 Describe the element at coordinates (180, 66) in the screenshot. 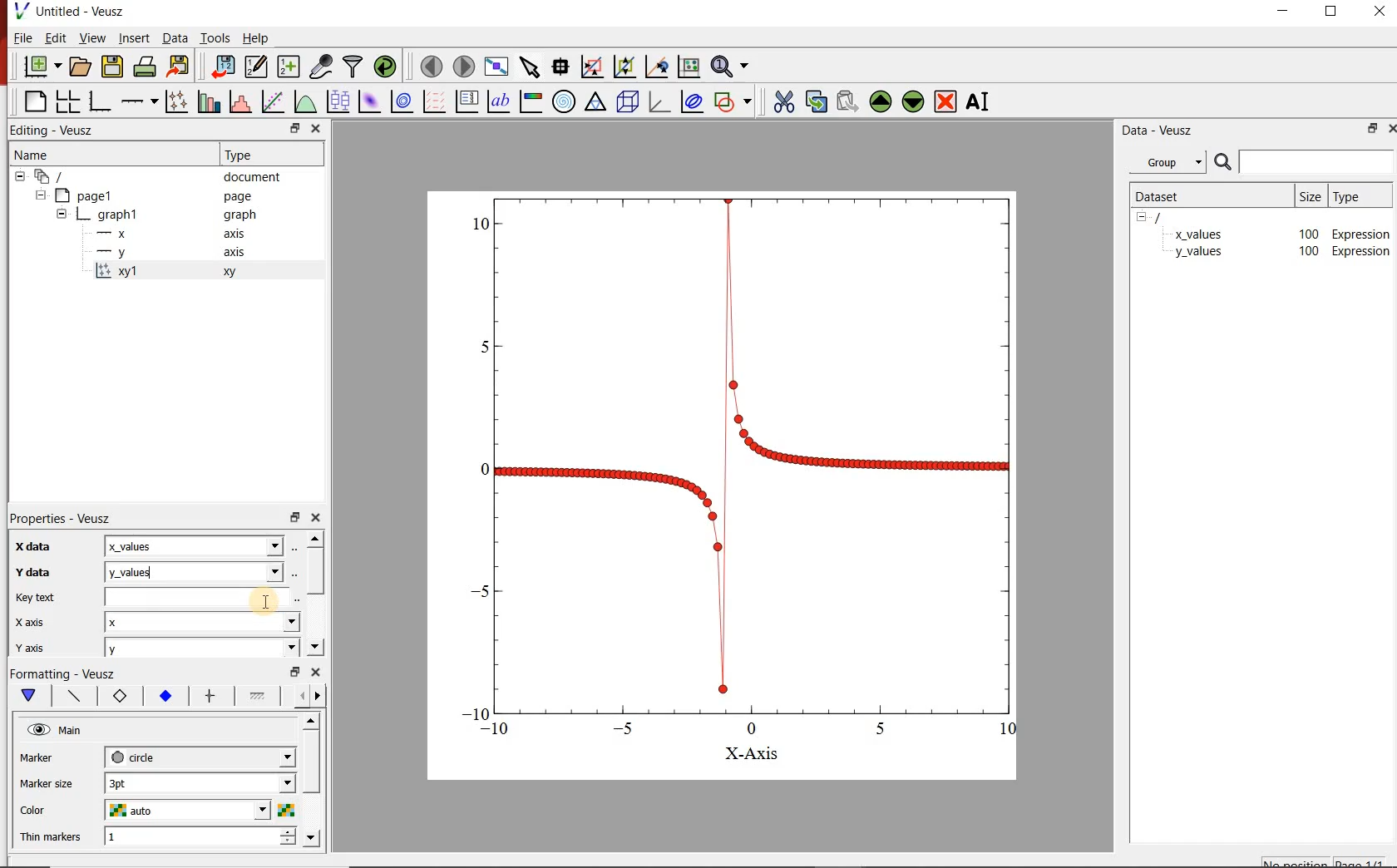

I see `export to graphics format` at that location.